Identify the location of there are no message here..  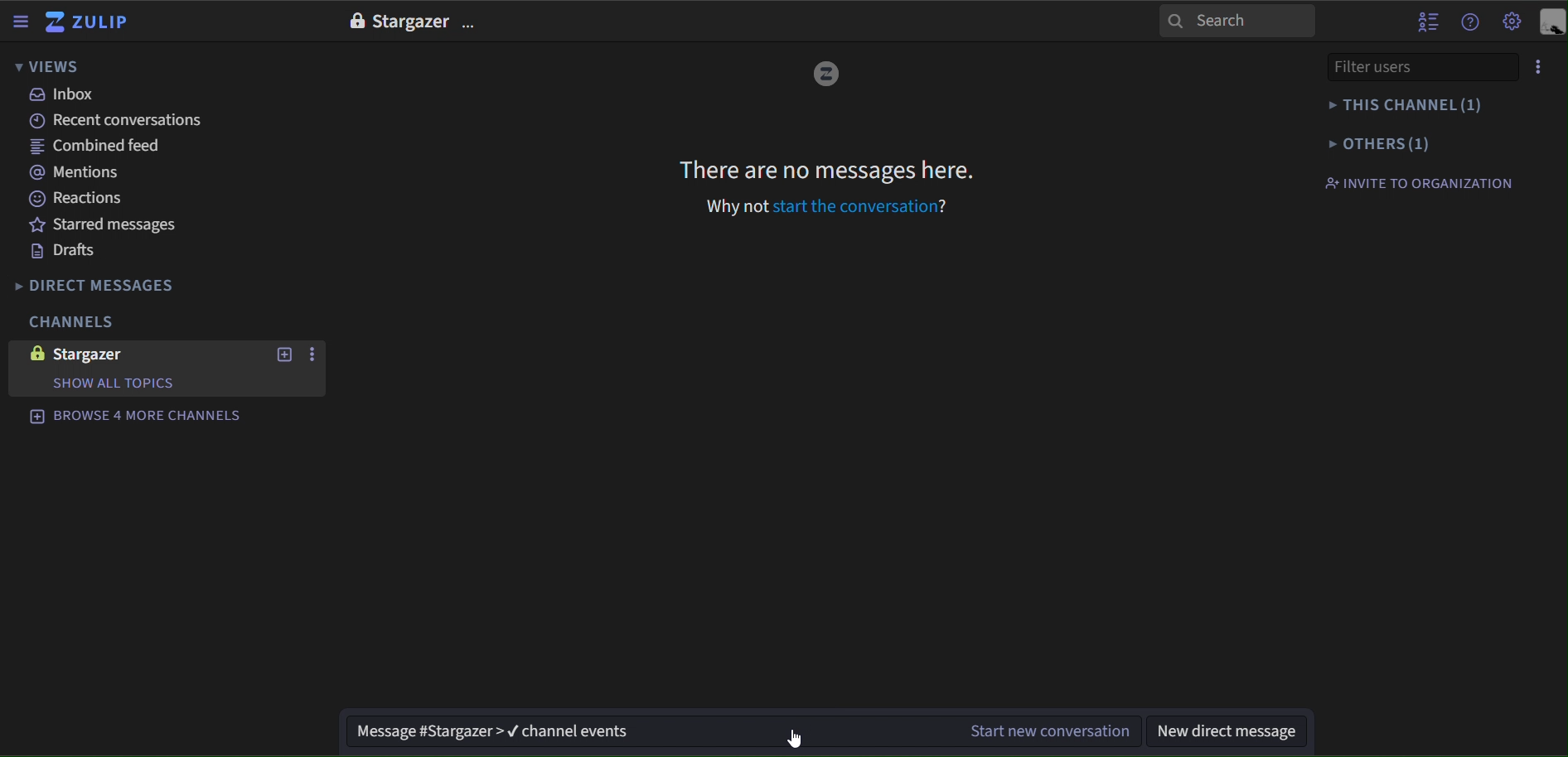
(828, 169).